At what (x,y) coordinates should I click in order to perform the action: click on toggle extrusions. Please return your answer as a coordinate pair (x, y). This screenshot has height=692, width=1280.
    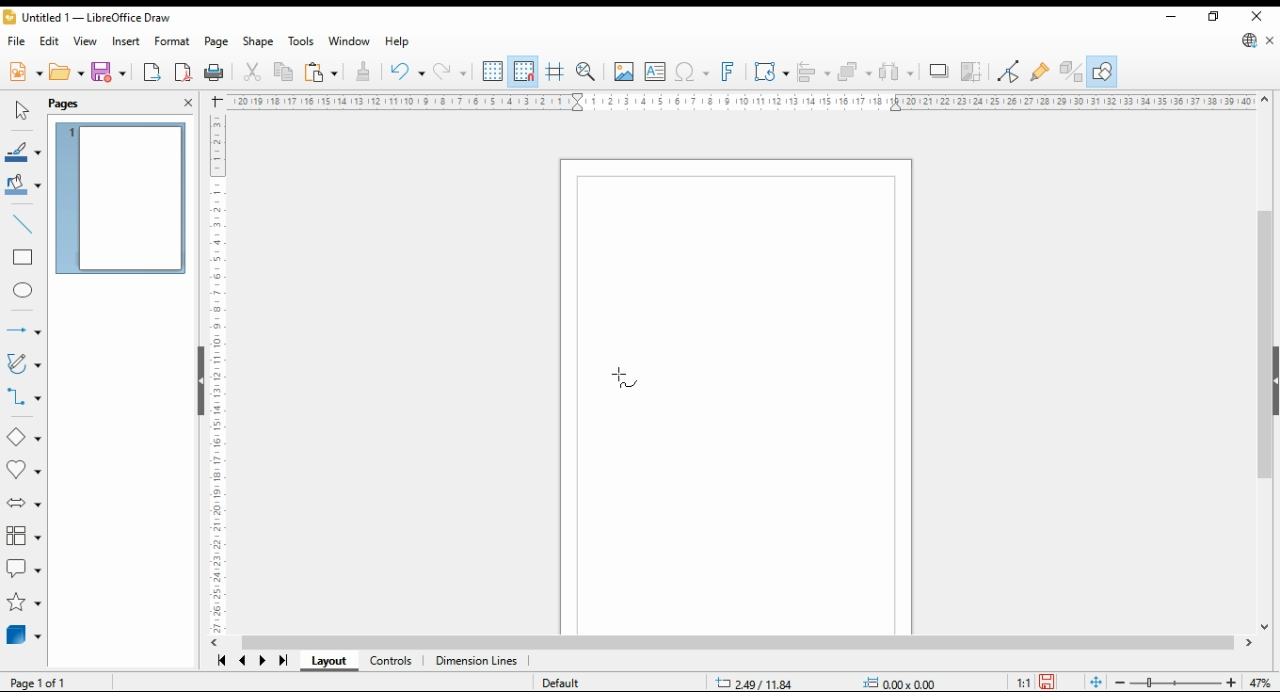
    Looking at the image, I should click on (1071, 72).